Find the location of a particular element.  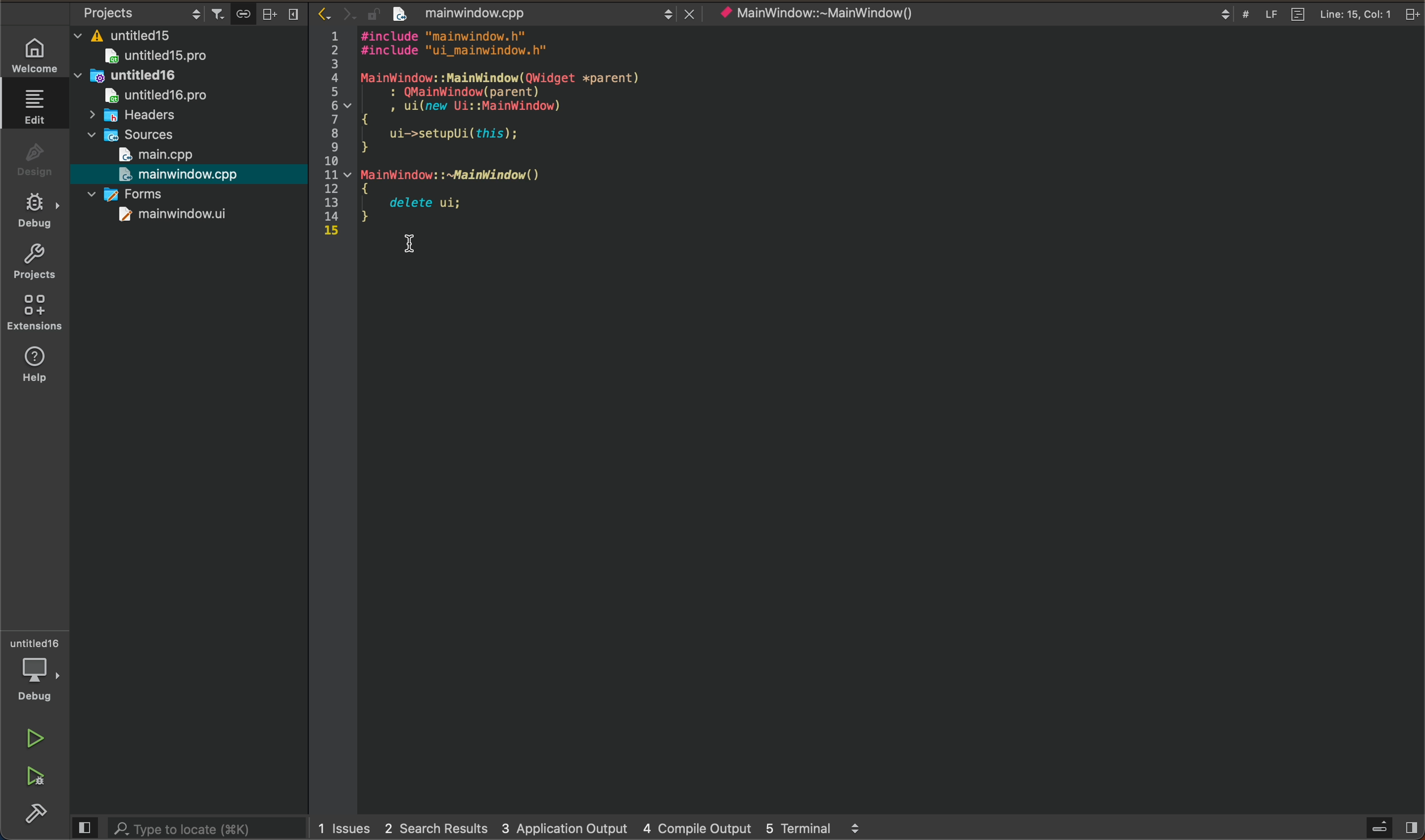

untitled16 is located at coordinates (151, 77).